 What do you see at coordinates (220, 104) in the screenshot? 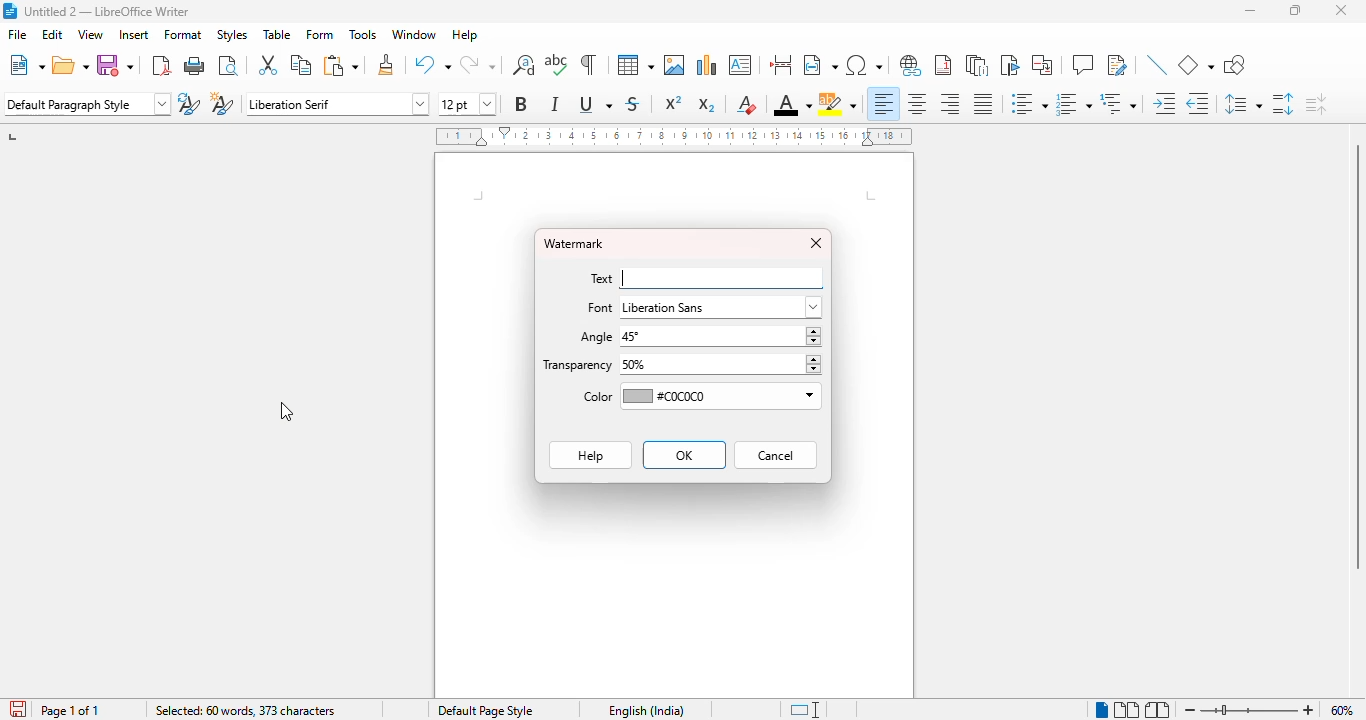
I see `new style from selection` at bounding box center [220, 104].